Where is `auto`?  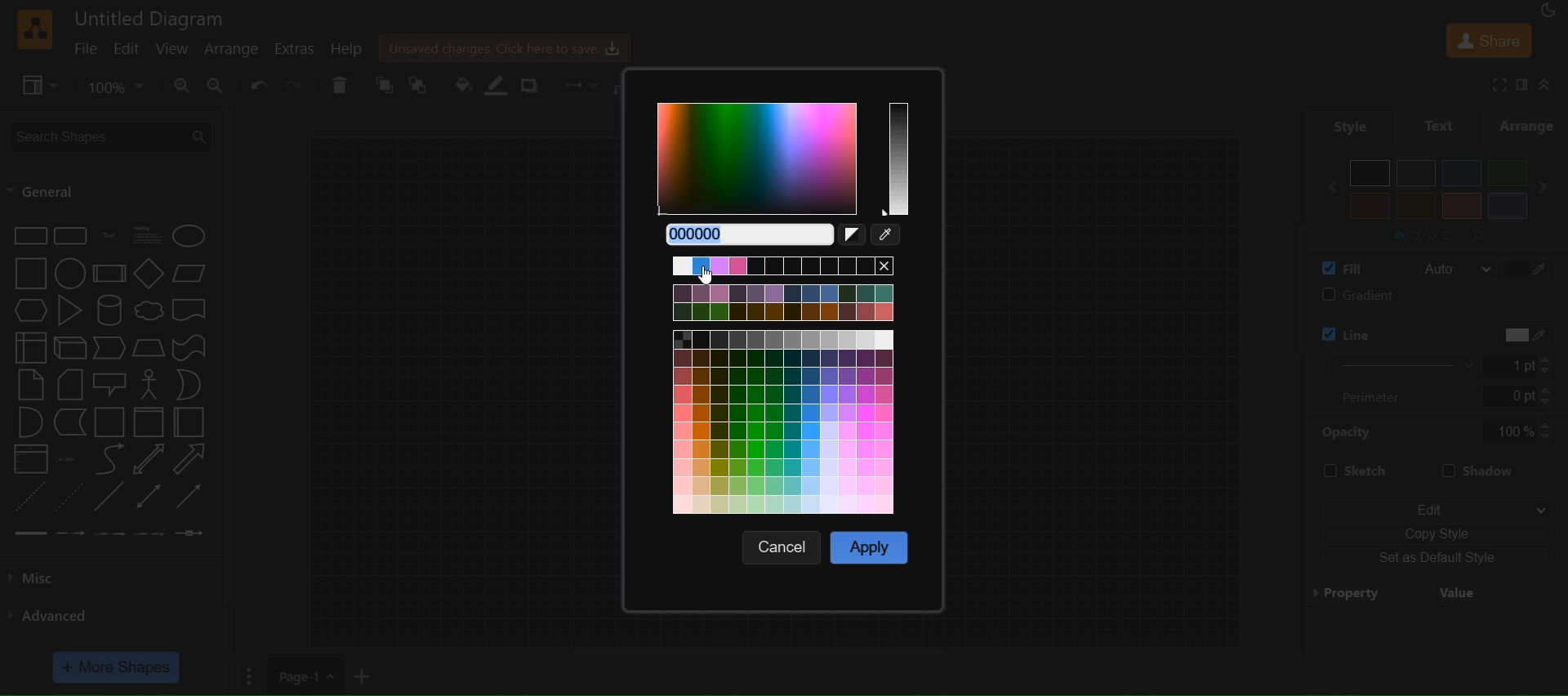
auto is located at coordinates (1457, 270).